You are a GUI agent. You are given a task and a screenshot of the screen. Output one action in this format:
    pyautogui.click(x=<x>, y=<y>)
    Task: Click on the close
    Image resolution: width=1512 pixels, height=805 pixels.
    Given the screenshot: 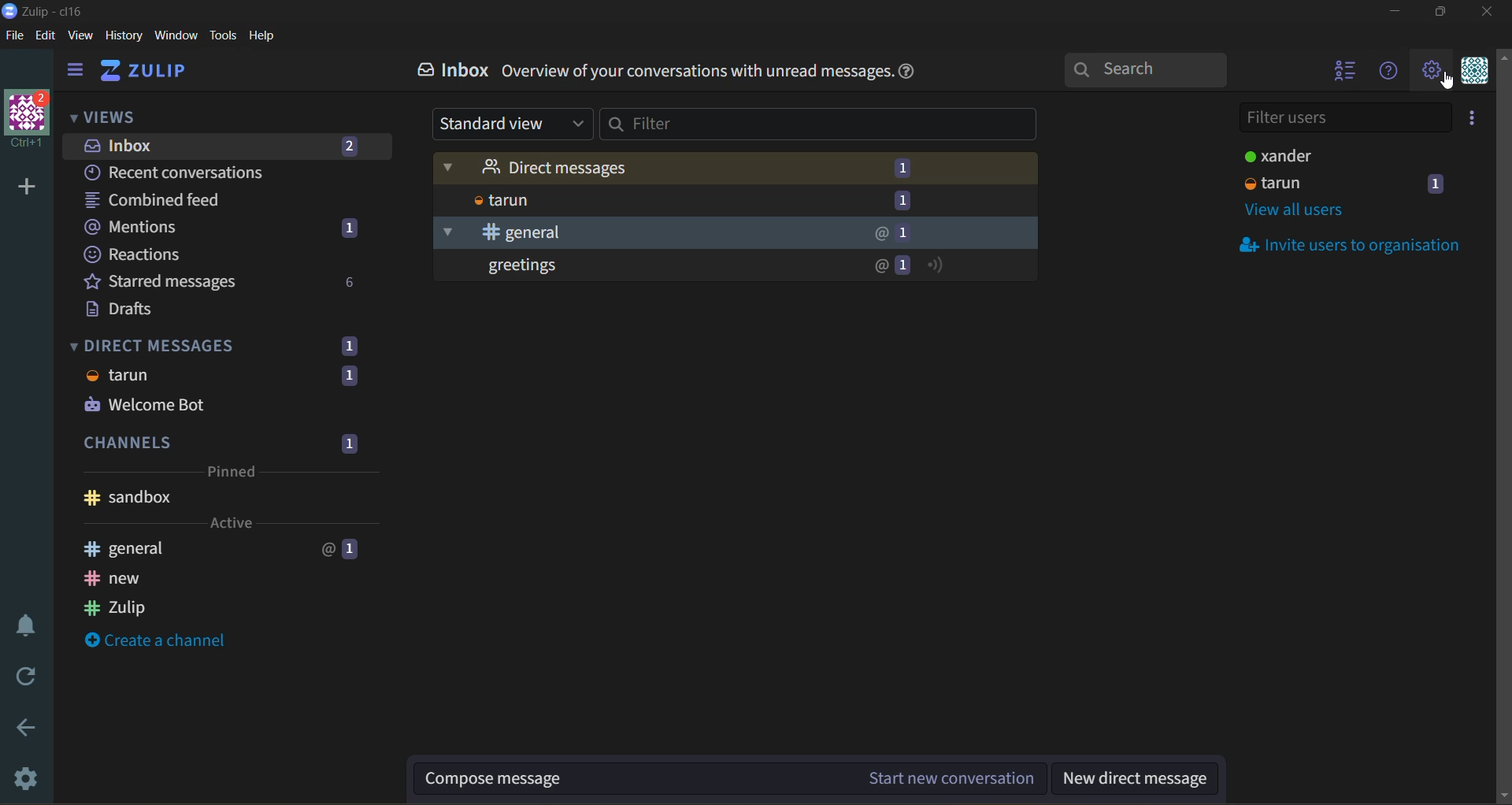 What is the action you would take?
    pyautogui.click(x=1484, y=13)
    